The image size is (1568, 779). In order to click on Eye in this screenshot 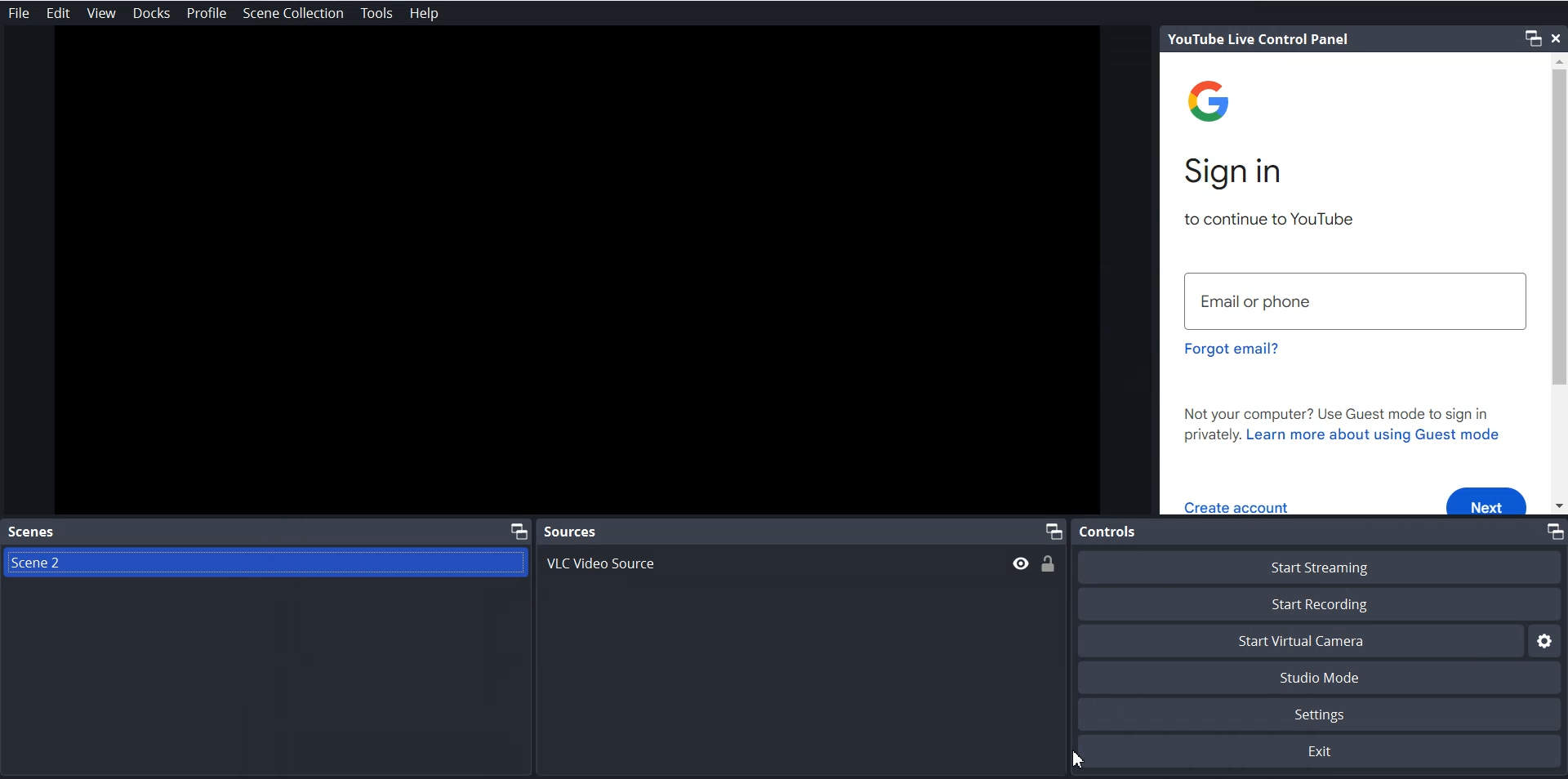, I will do `click(1021, 563)`.